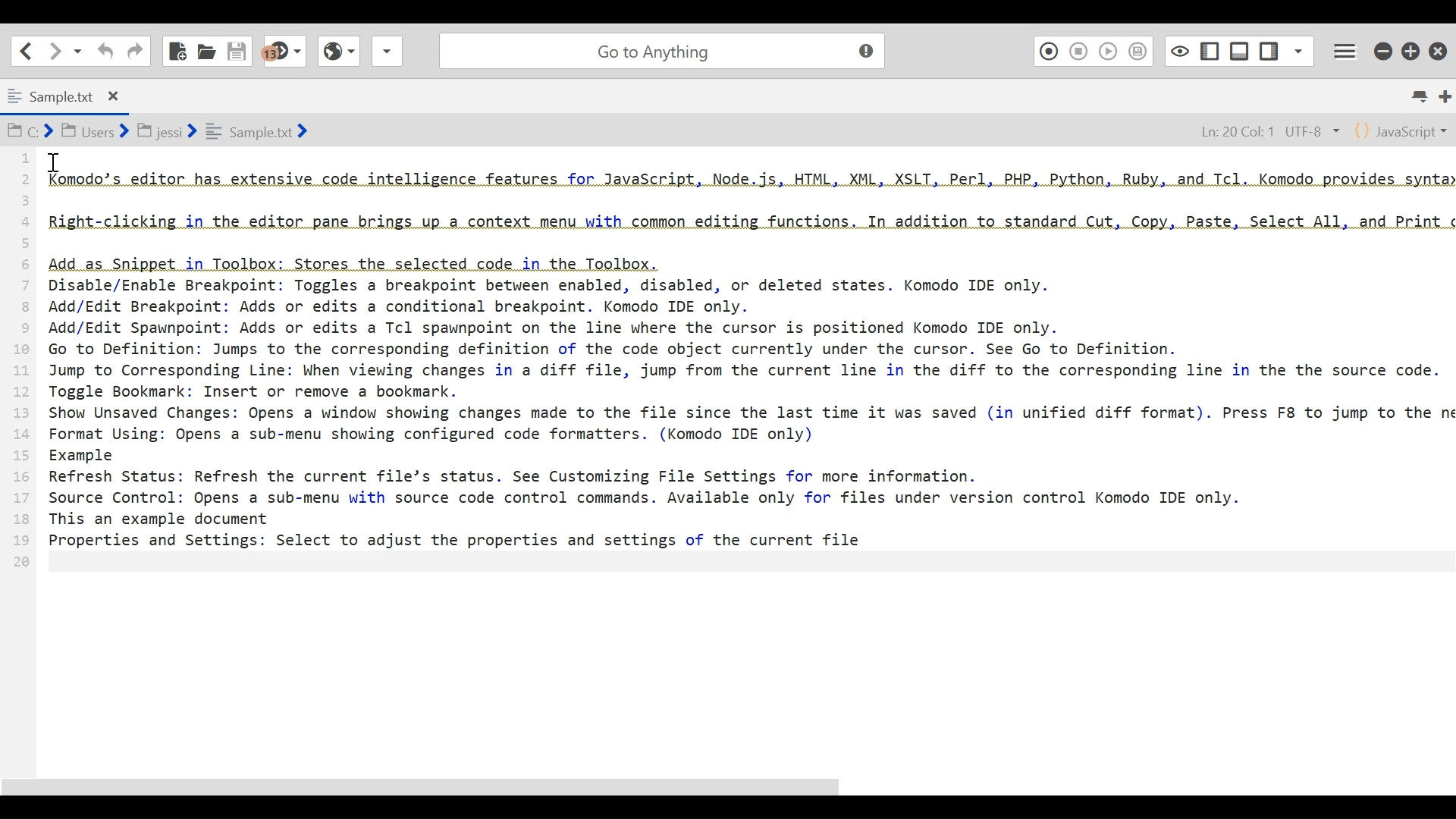  I want to click on Show/Hide Left Panel, so click(1270, 48).